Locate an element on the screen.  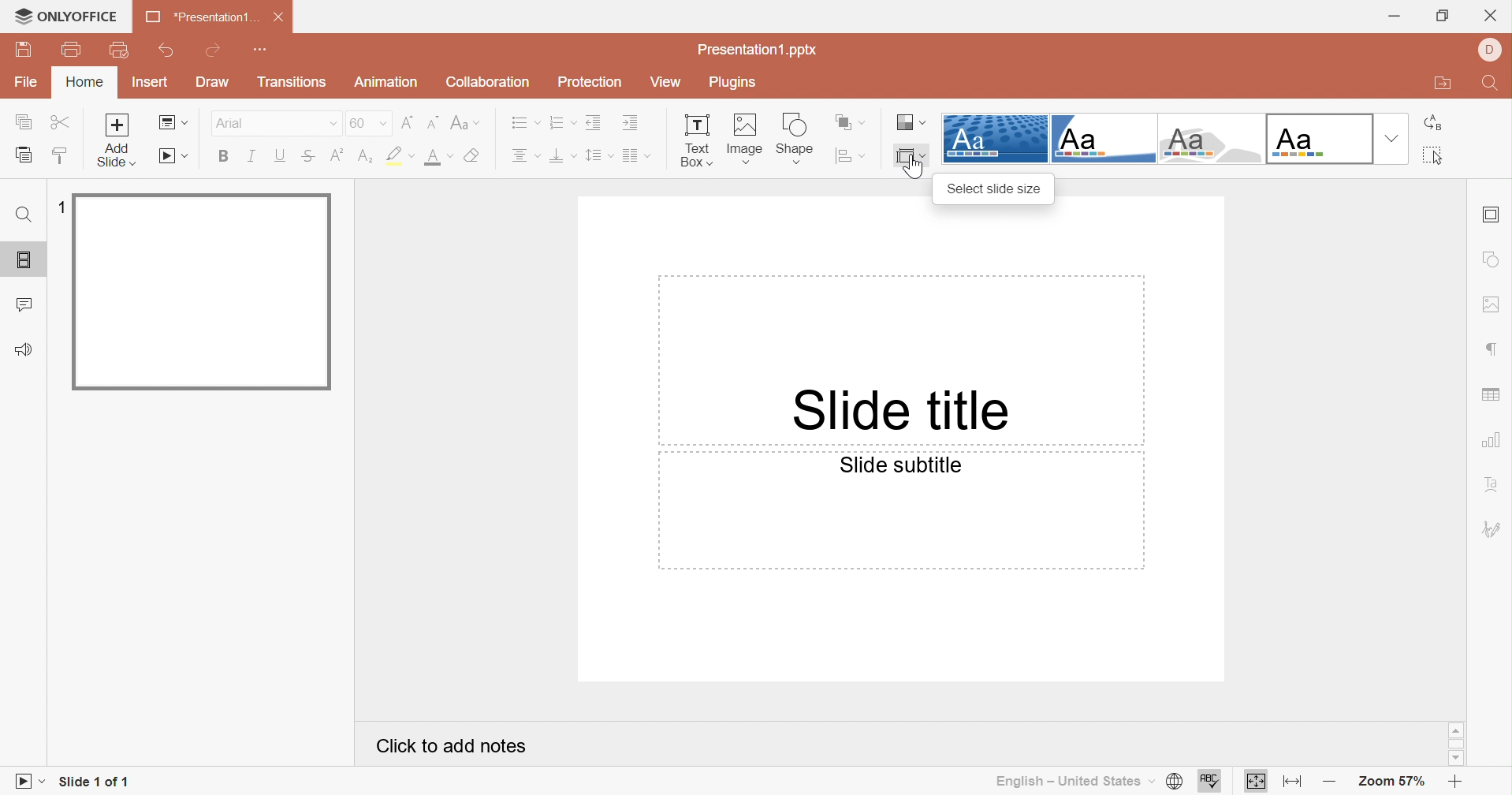
Horizontal align is located at coordinates (524, 155).